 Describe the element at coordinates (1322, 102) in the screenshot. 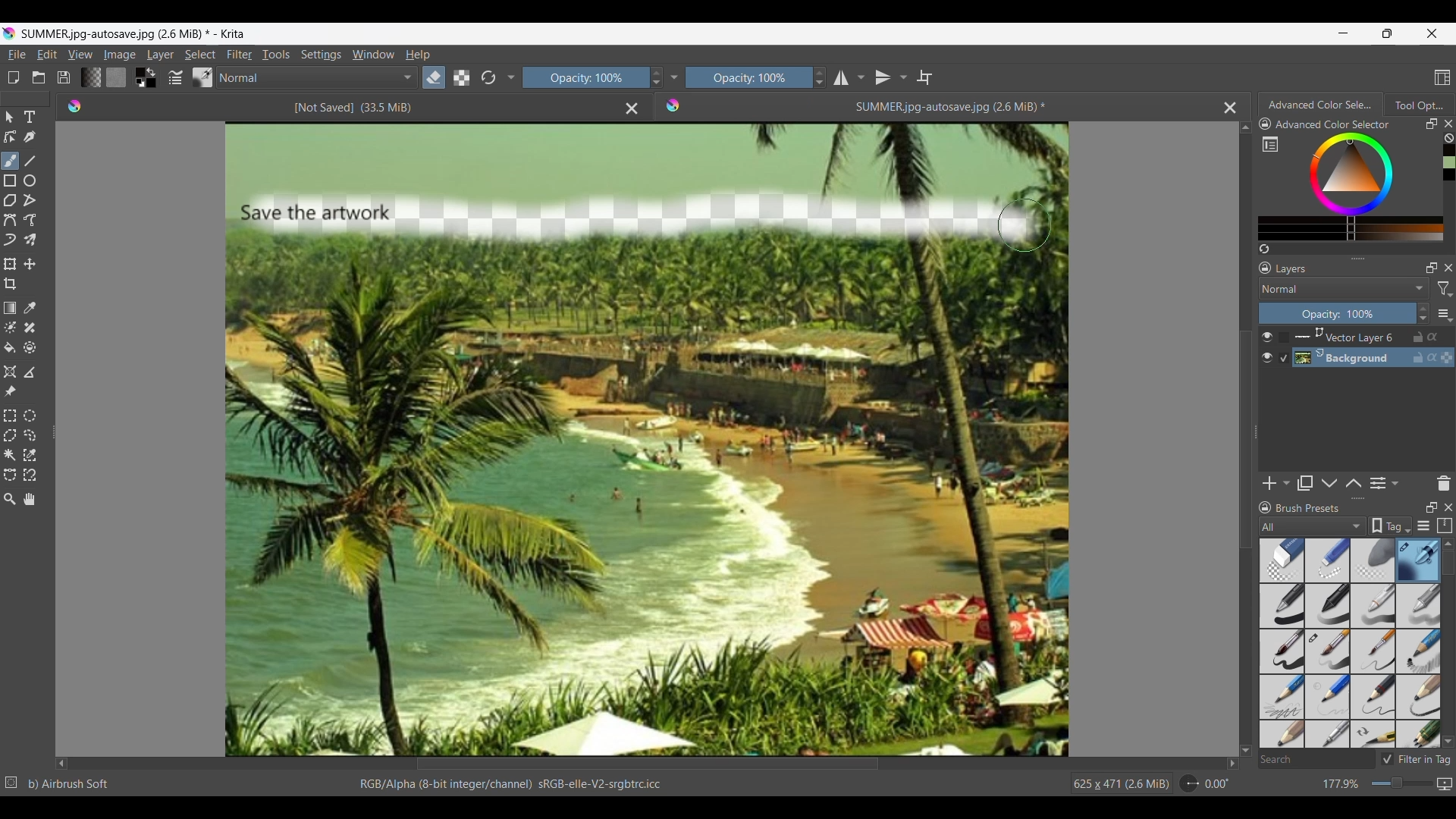

I see `Advanced color Selector` at that location.